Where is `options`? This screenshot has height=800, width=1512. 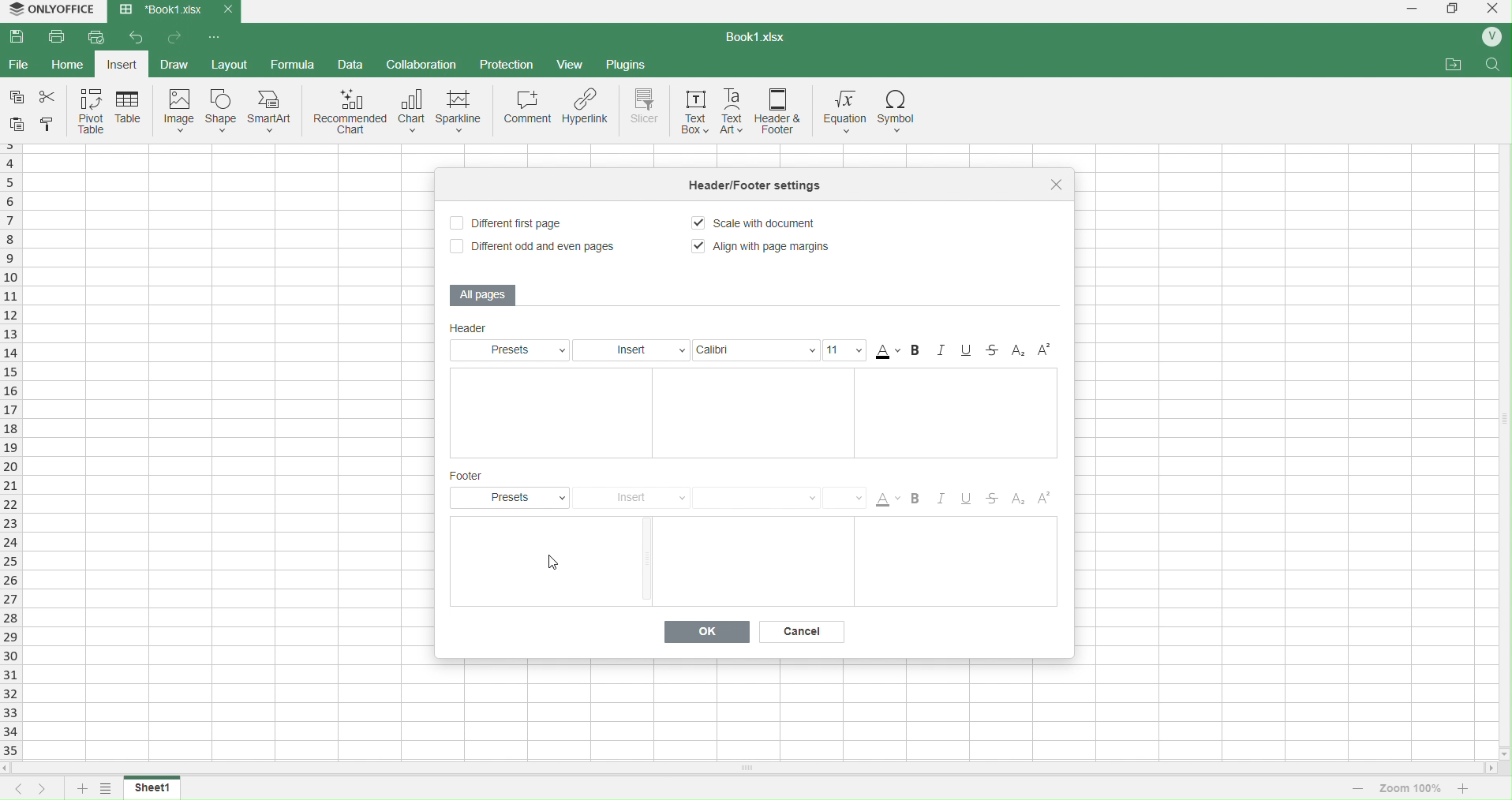 options is located at coordinates (105, 790).